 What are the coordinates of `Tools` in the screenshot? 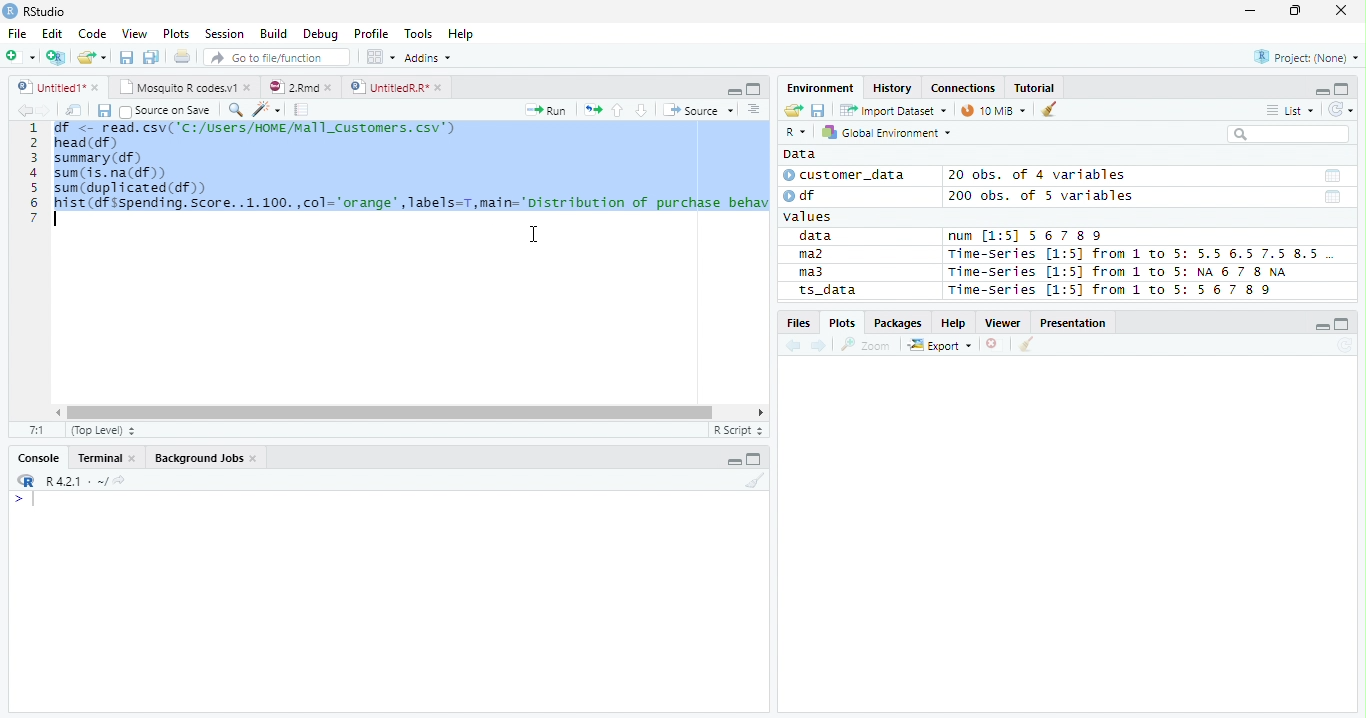 It's located at (422, 32).